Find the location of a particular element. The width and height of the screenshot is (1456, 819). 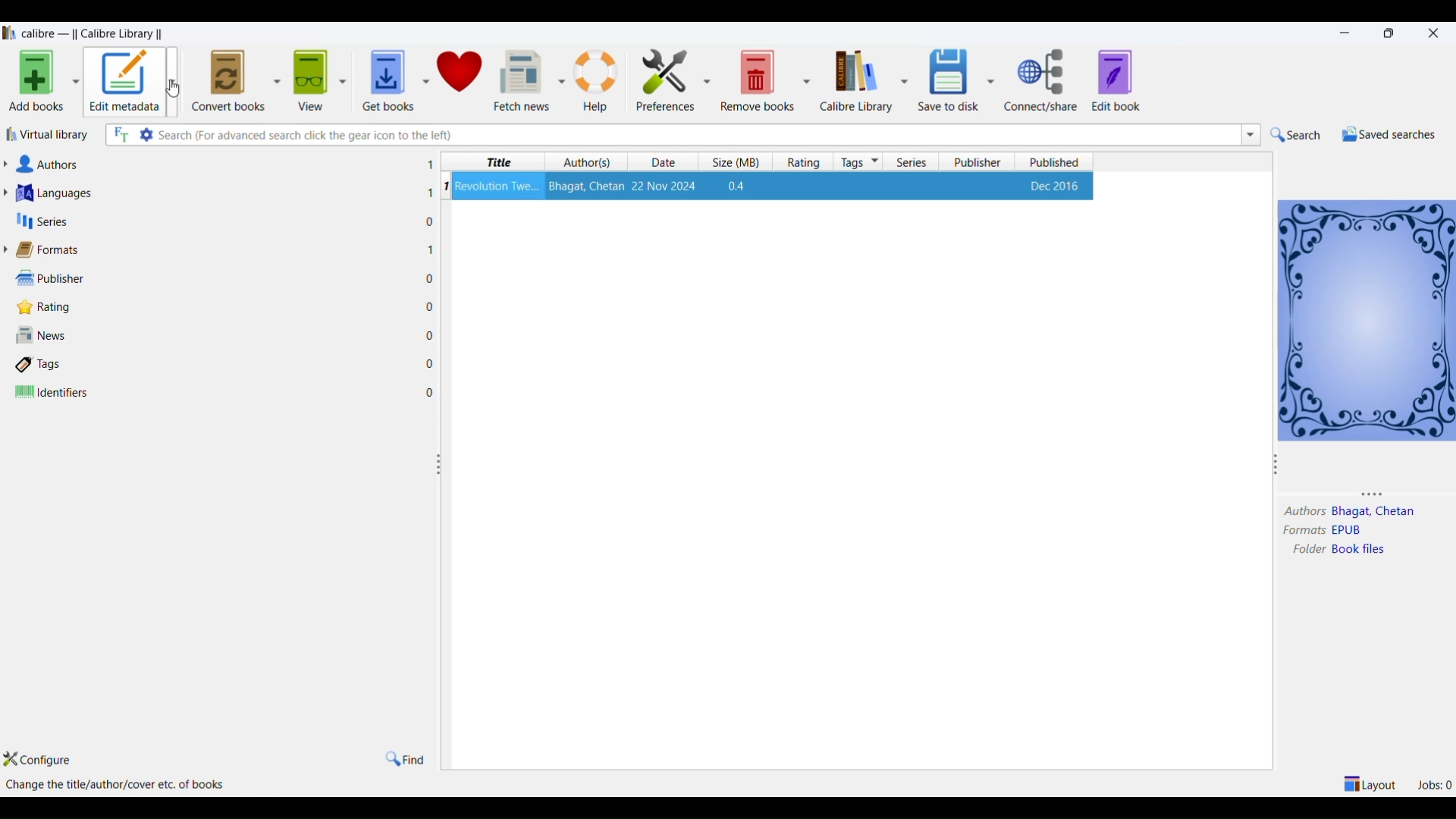

EDIT BOOKS is located at coordinates (1131, 82).